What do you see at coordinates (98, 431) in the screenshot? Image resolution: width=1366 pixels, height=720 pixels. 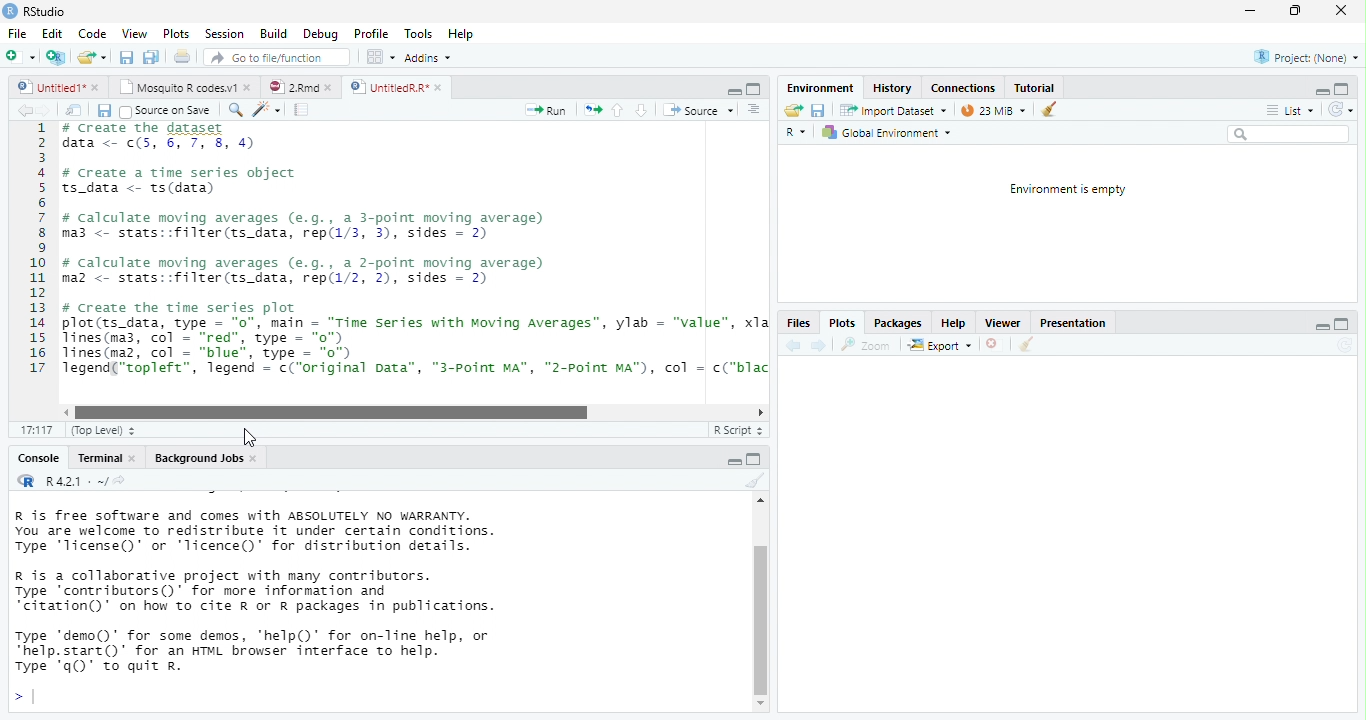 I see `(Top Level)` at bounding box center [98, 431].